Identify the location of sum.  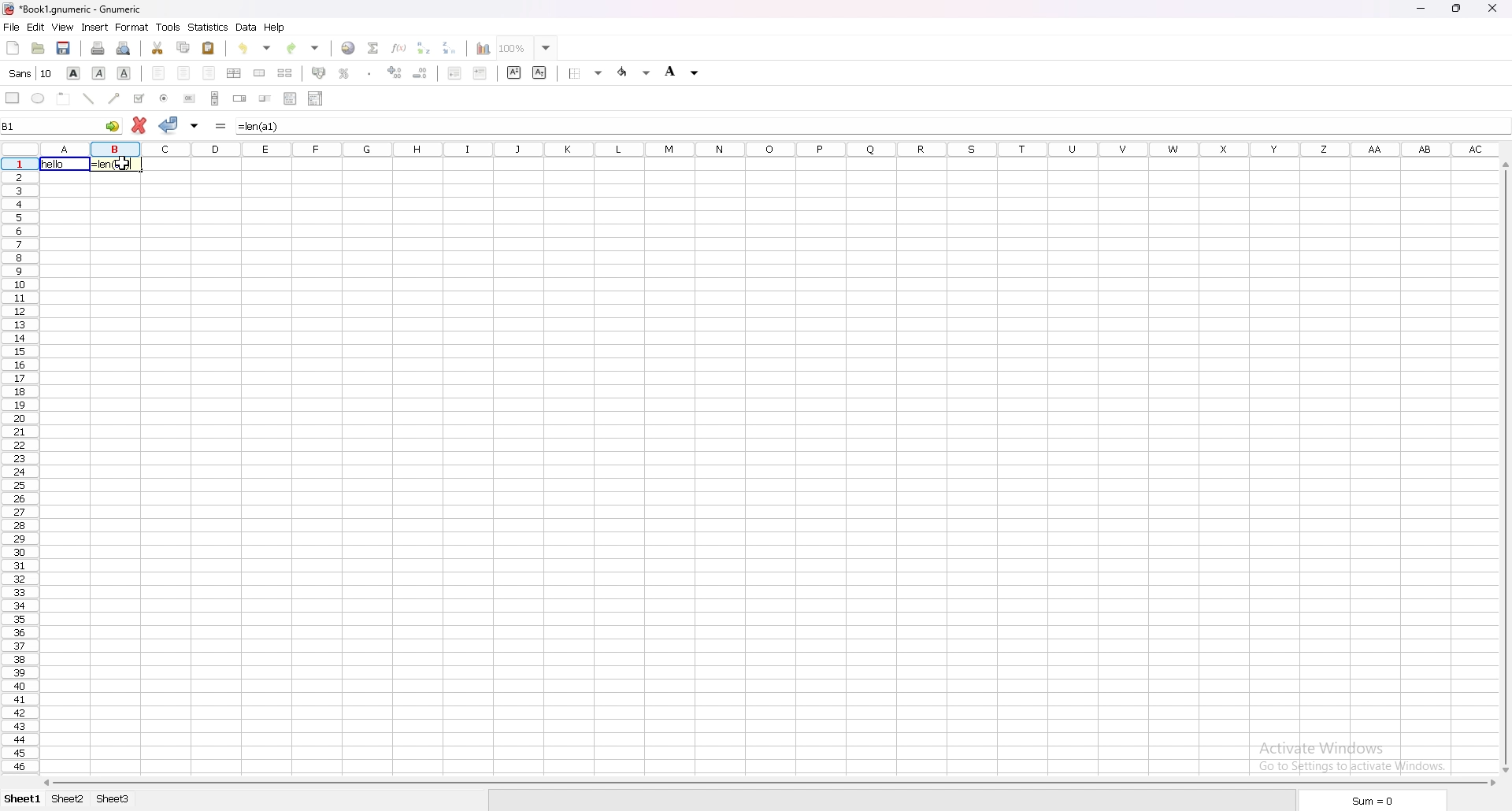
(372, 47).